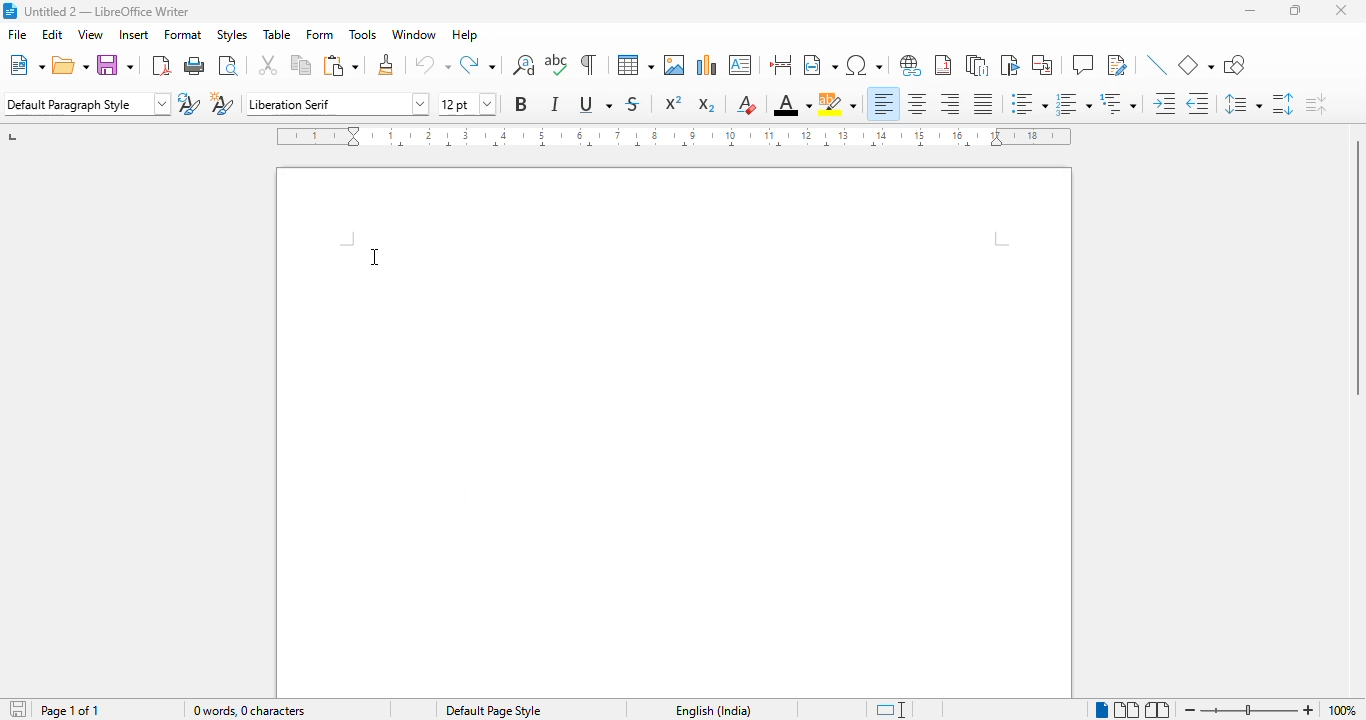  What do you see at coordinates (19, 708) in the screenshot?
I see `click to save document` at bounding box center [19, 708].